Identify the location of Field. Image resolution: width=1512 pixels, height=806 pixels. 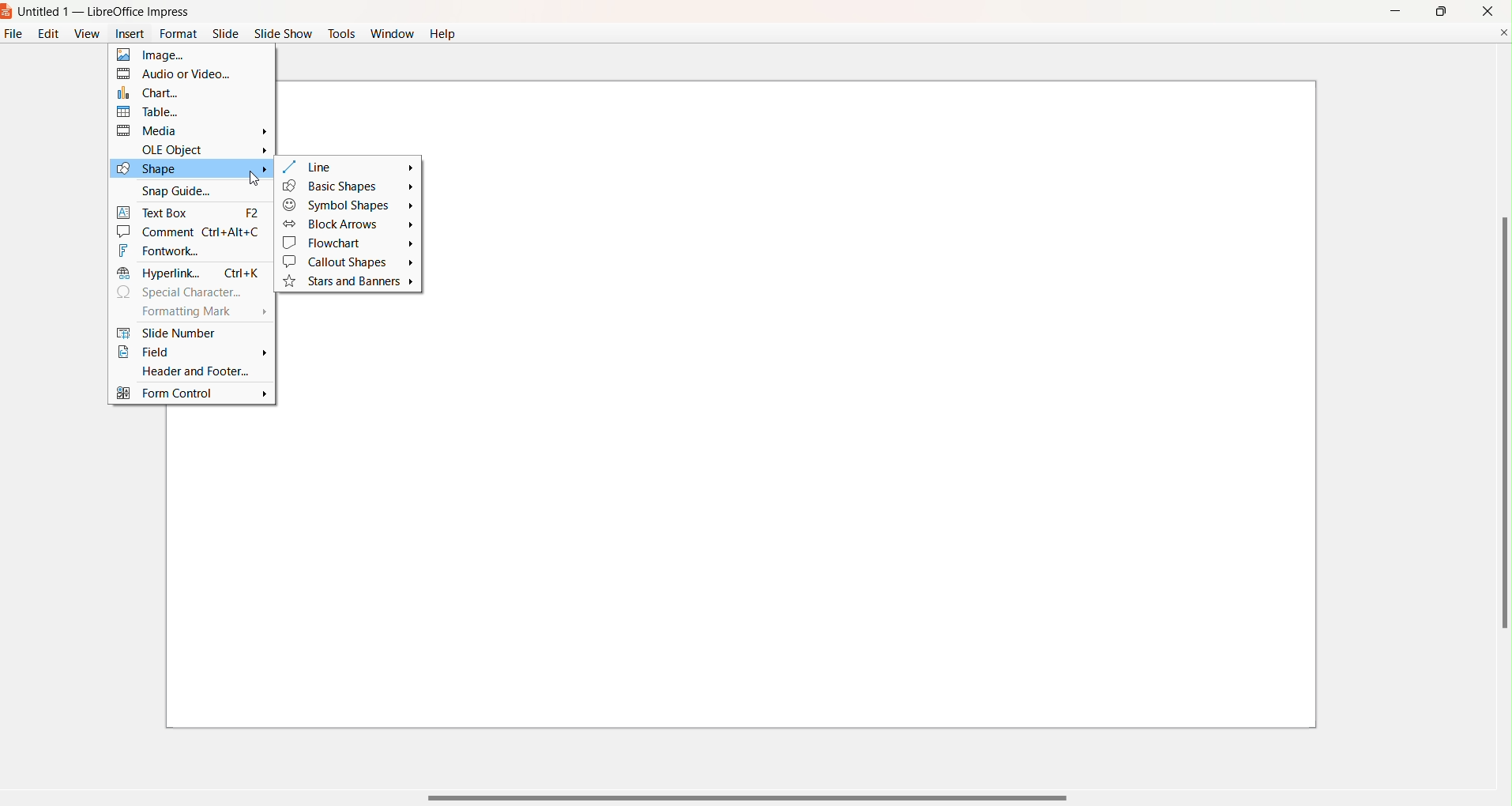
(192, 353).